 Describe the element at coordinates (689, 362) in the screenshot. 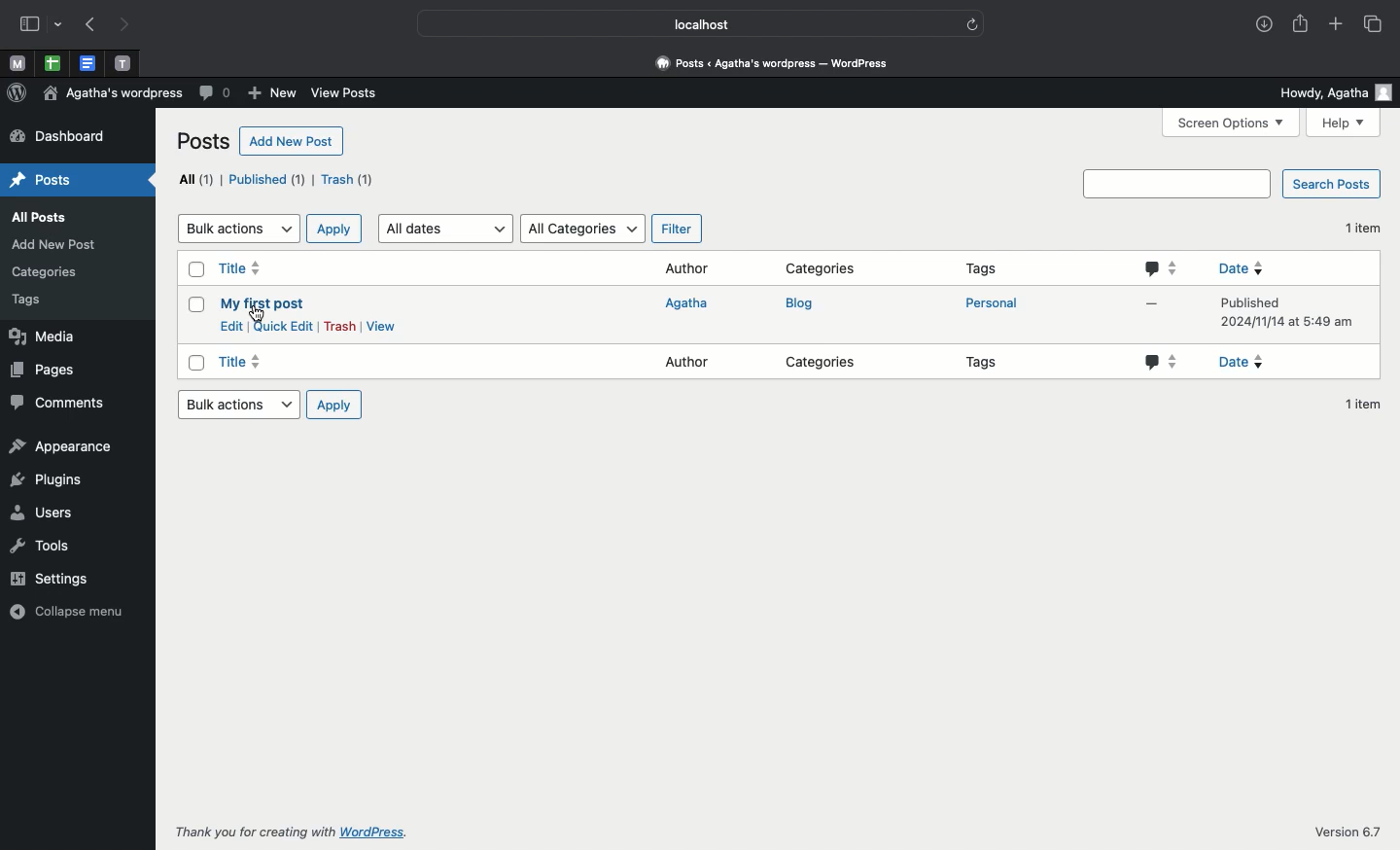

I see `Author` at that location.